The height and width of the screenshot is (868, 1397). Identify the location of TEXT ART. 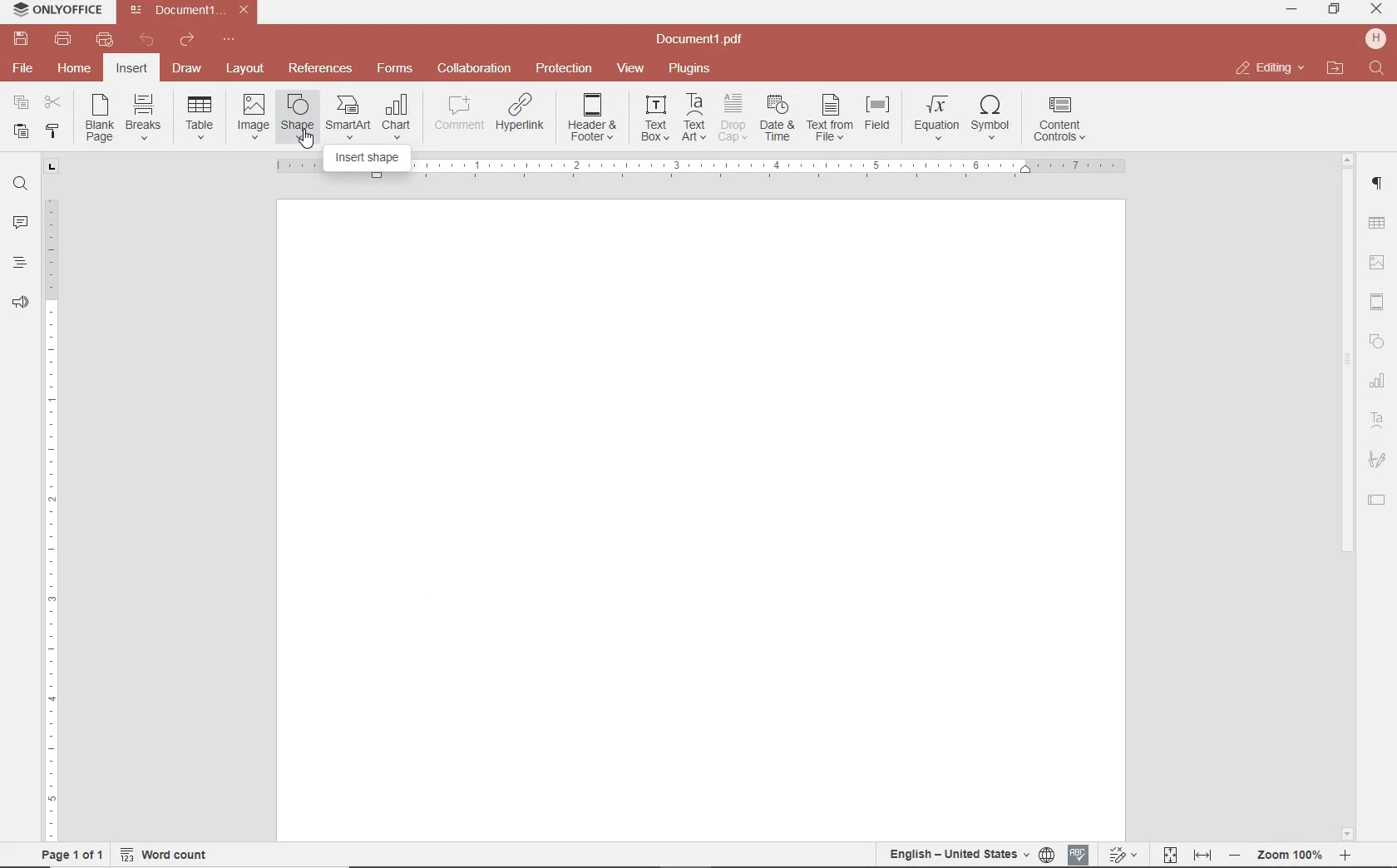
(1378, 422).